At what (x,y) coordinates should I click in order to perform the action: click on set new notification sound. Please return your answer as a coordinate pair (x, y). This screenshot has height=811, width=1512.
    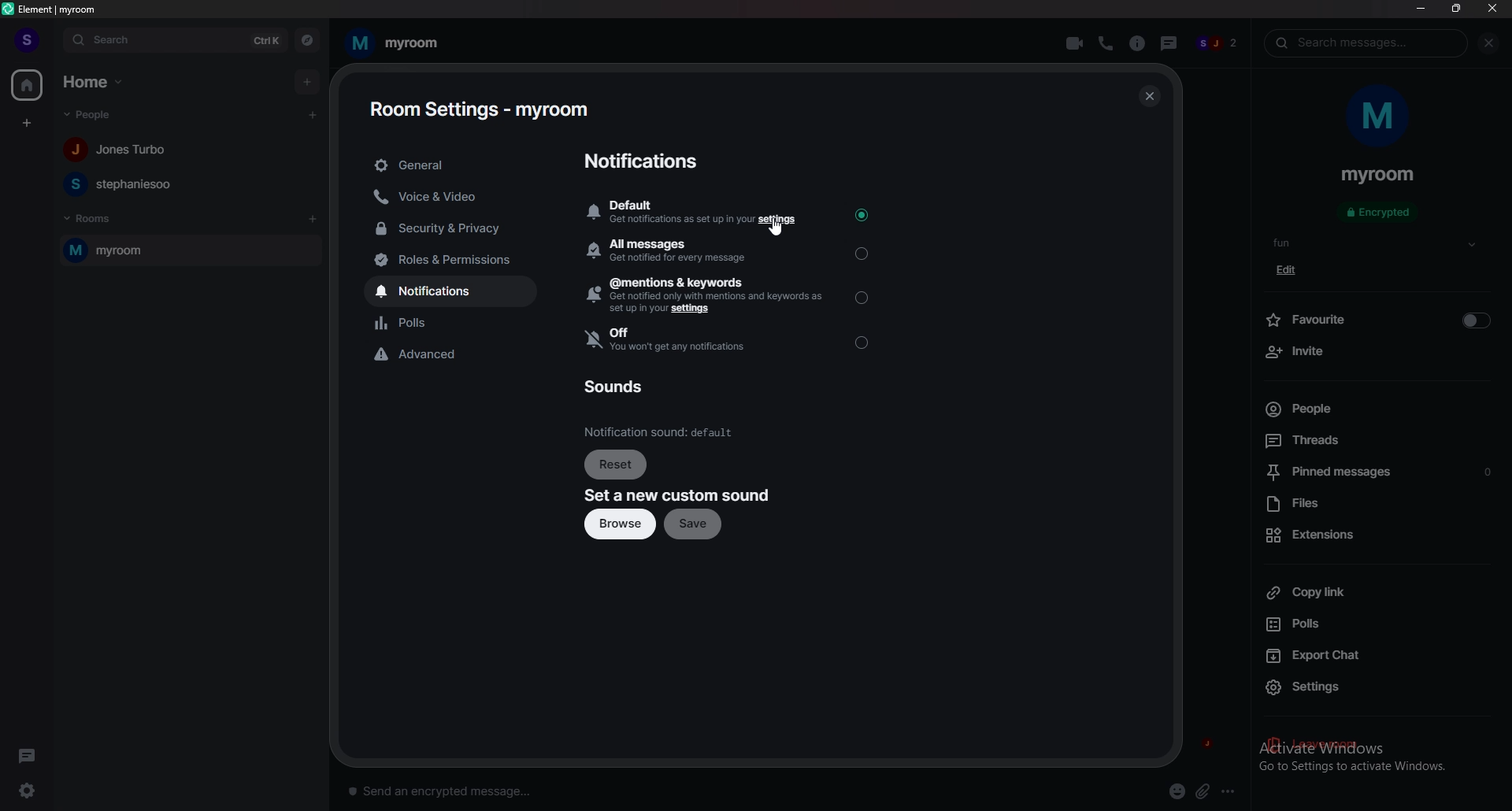
    Looking at the image, I should click on (677, 496).